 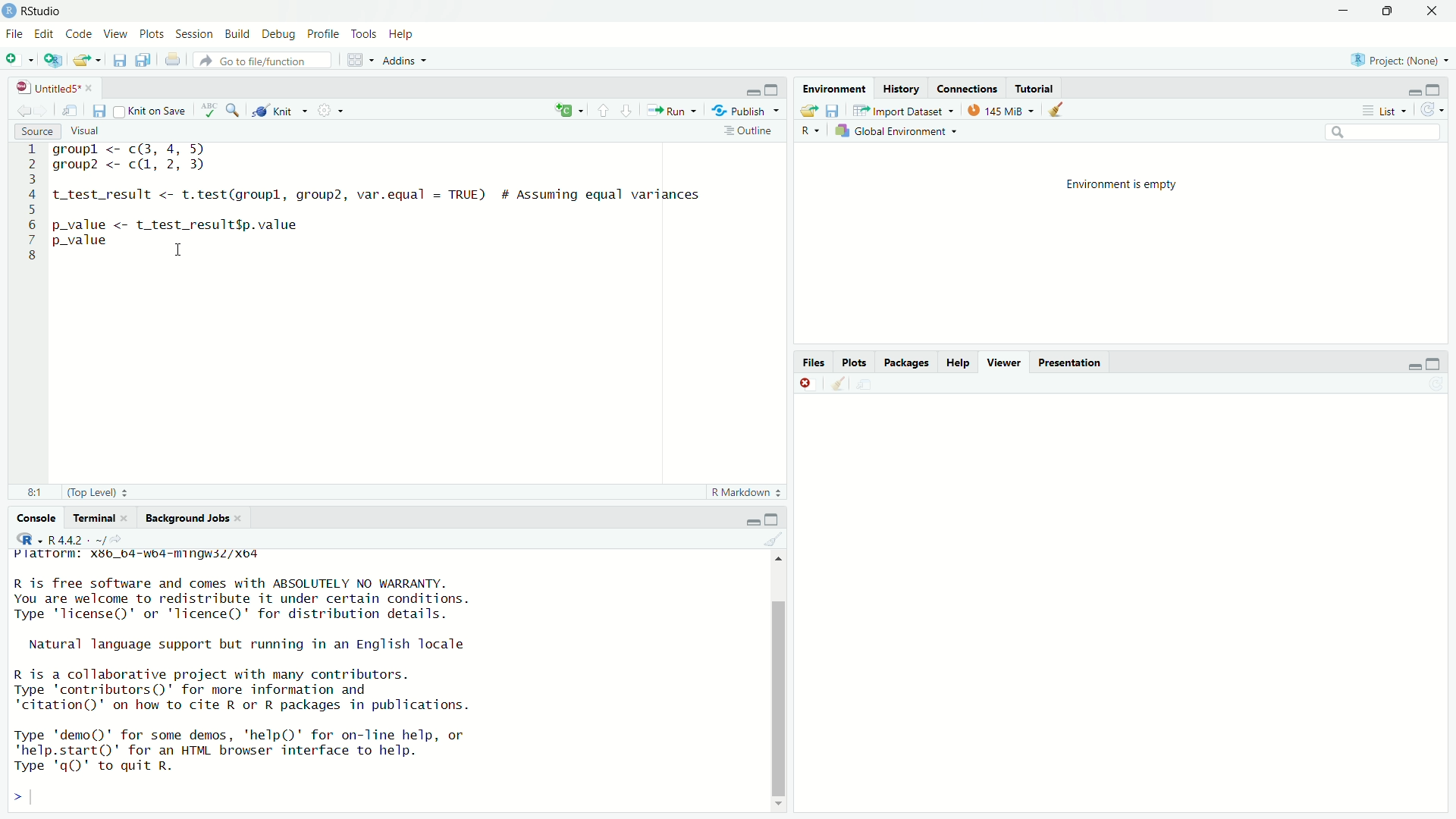 What do you see at coordinates (747, 130) in the screenshot?
I see ` Outline` at bounding box center [747, 130].